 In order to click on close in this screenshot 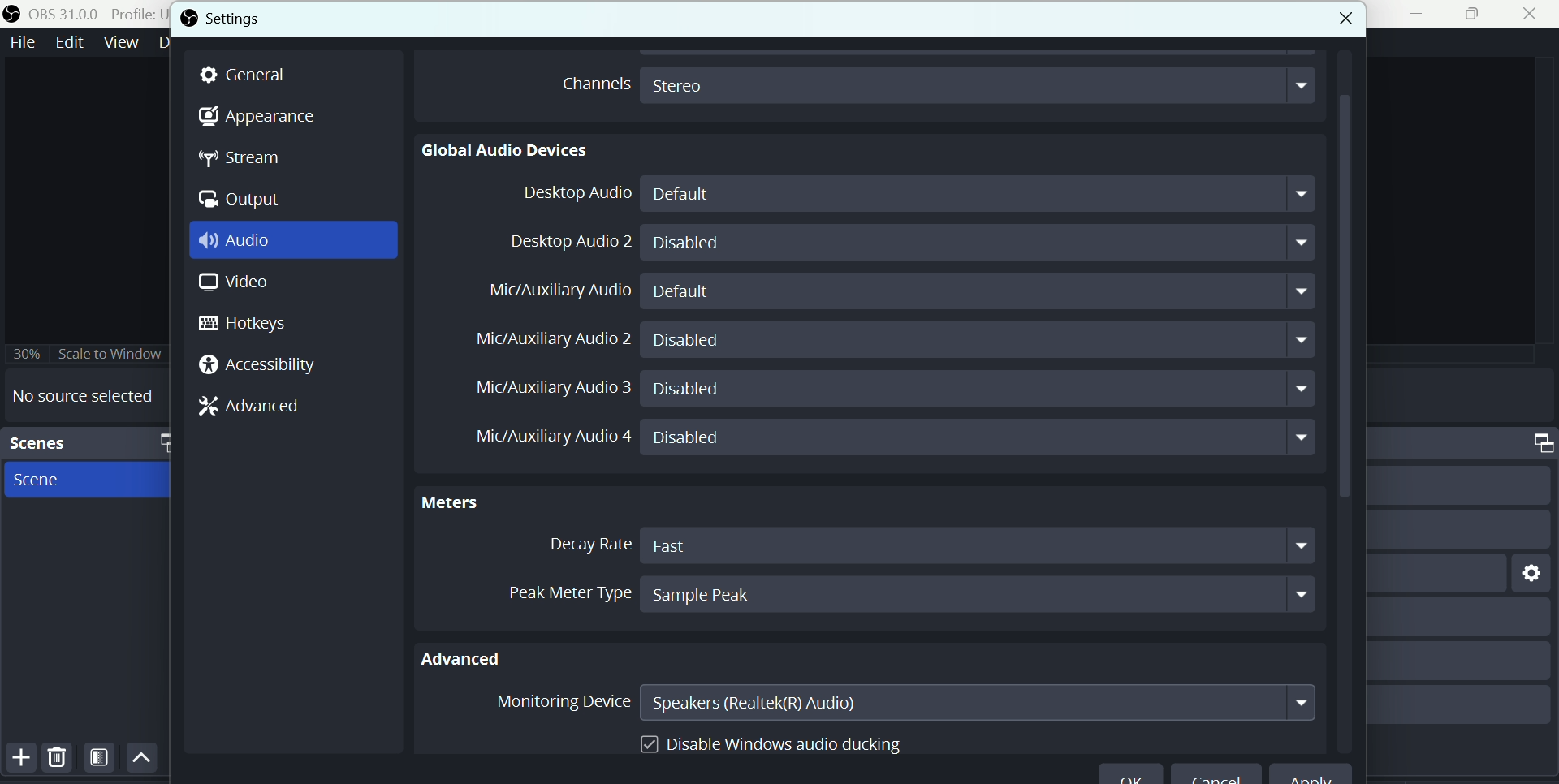, I will do `click(1328, 15)`.